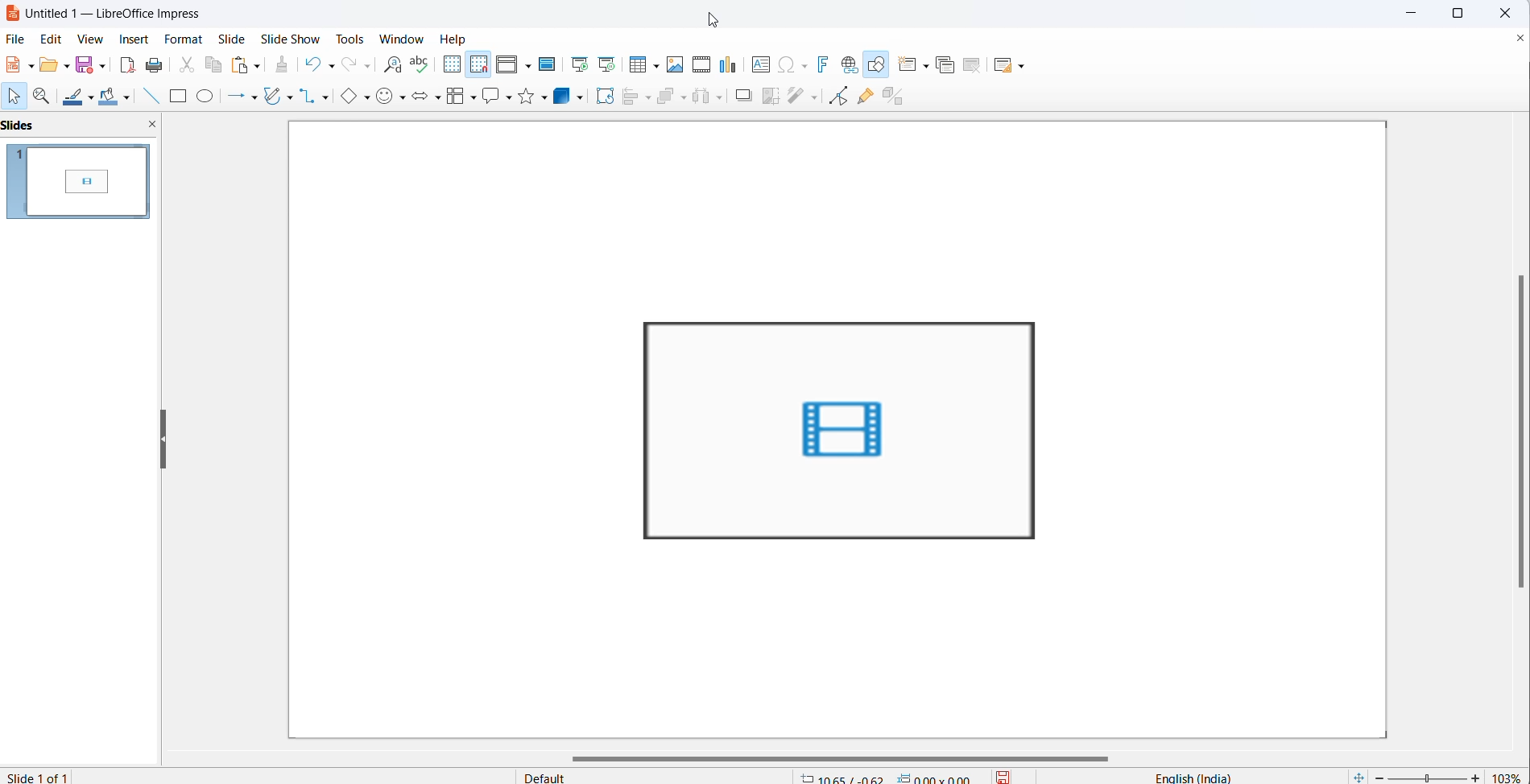 The image size is (1530, 784). Describe the element at coordinates (84, 66) in the screenshot. I see `save` at that location.